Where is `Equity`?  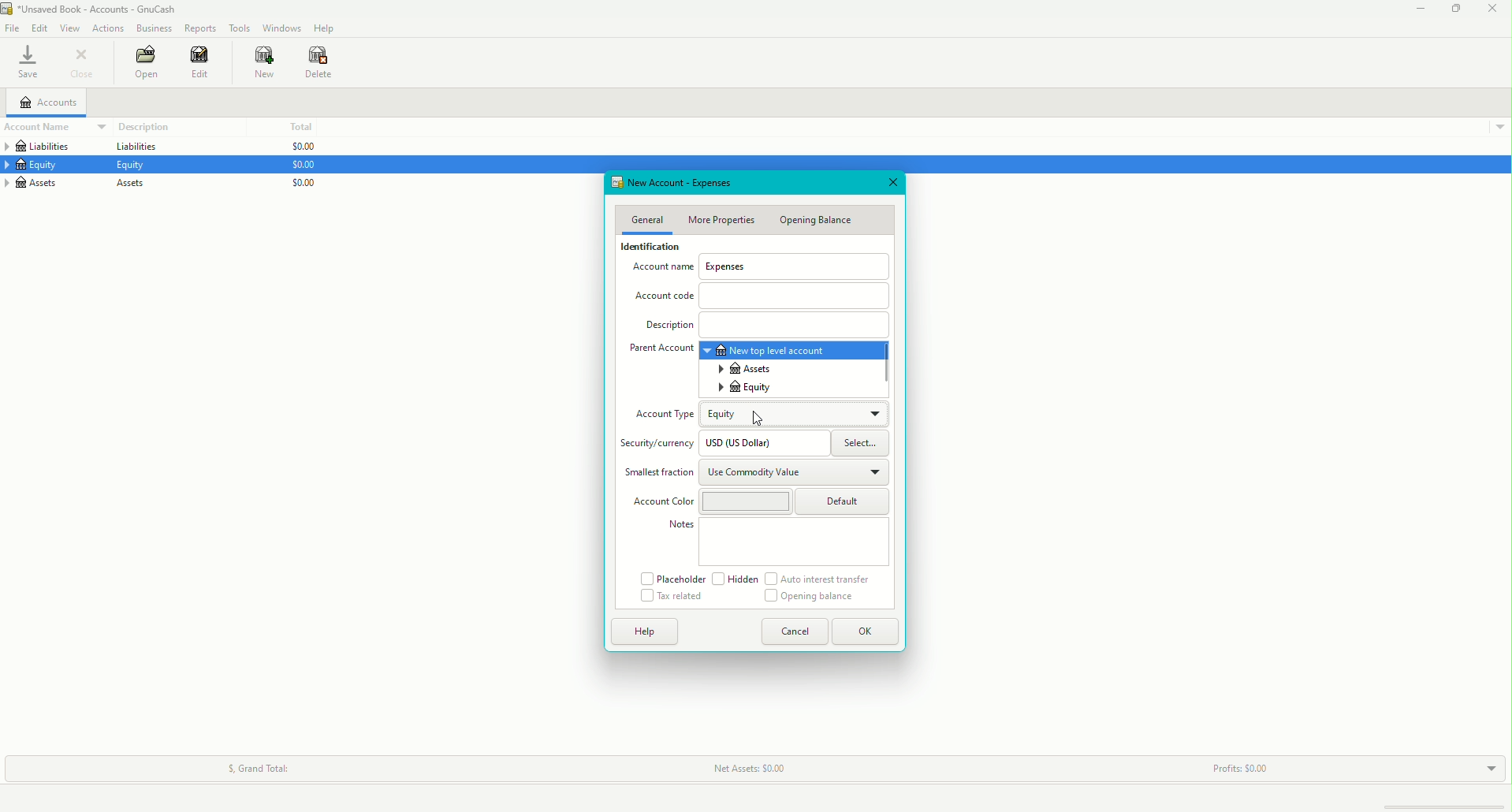
Equity is located at coordinates (40, 166).